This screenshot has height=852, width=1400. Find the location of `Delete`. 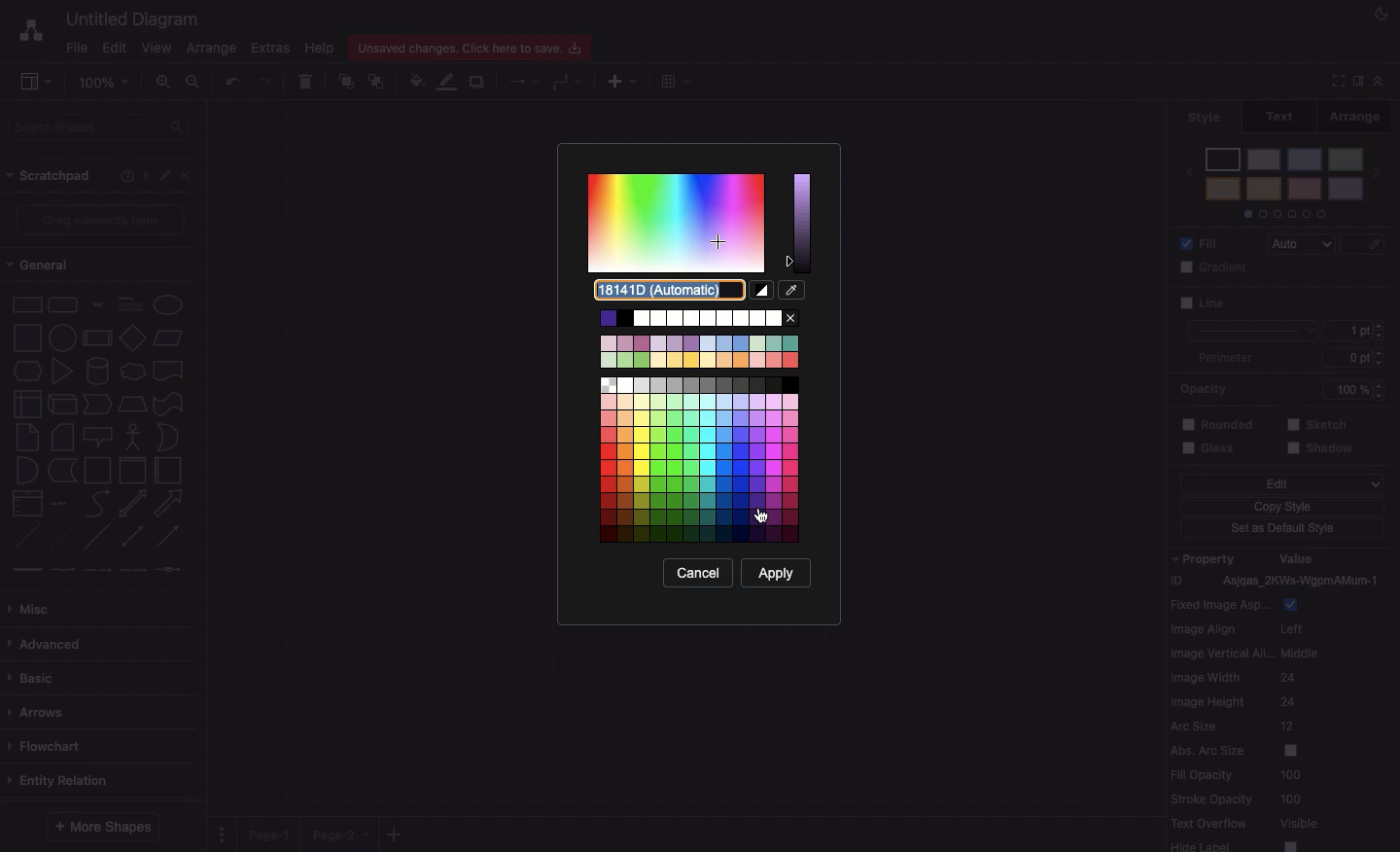

Delete is located at coordinates (307, 79).